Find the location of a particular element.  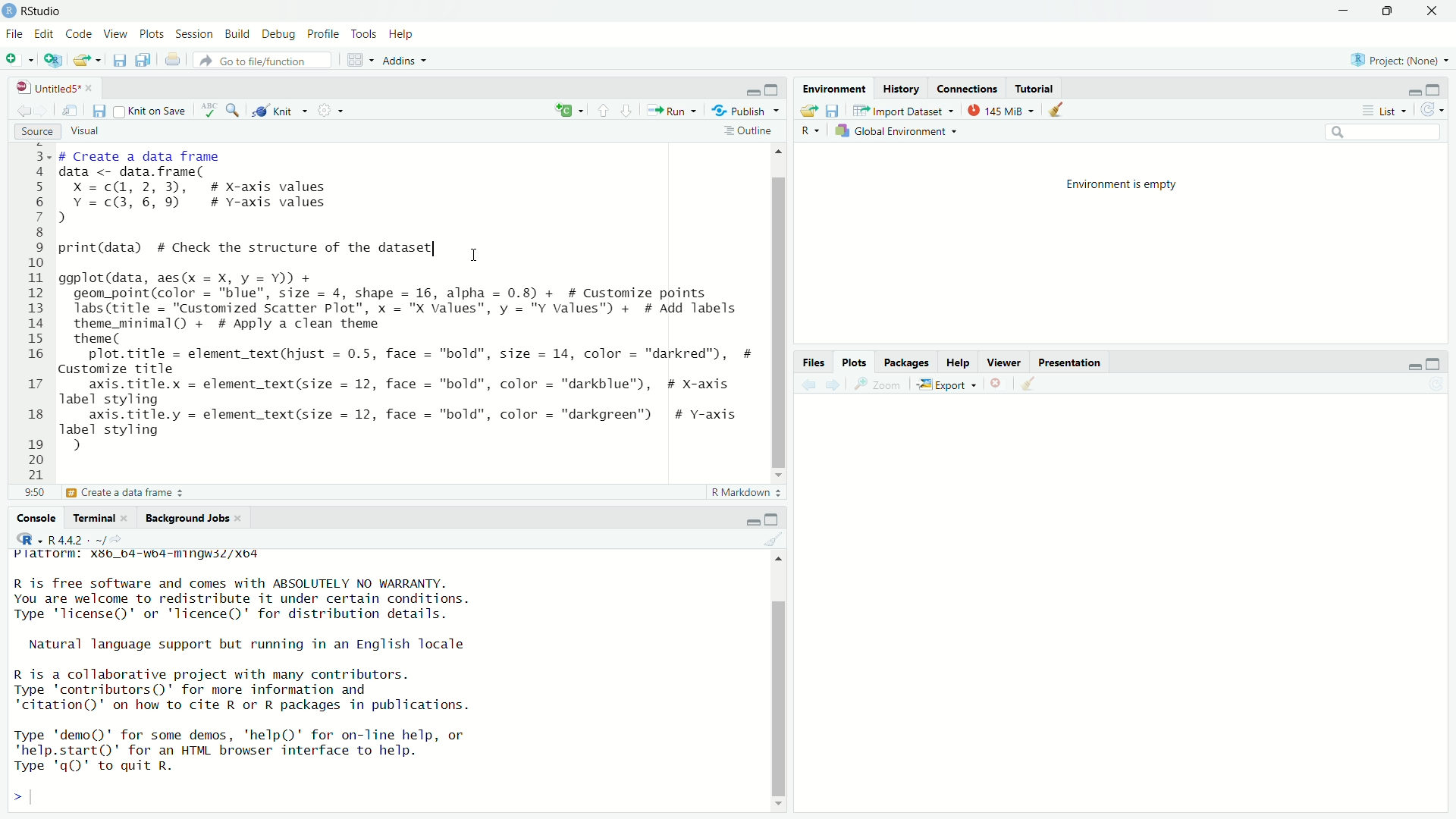

Clear console is located at coordinates (1059, 111).